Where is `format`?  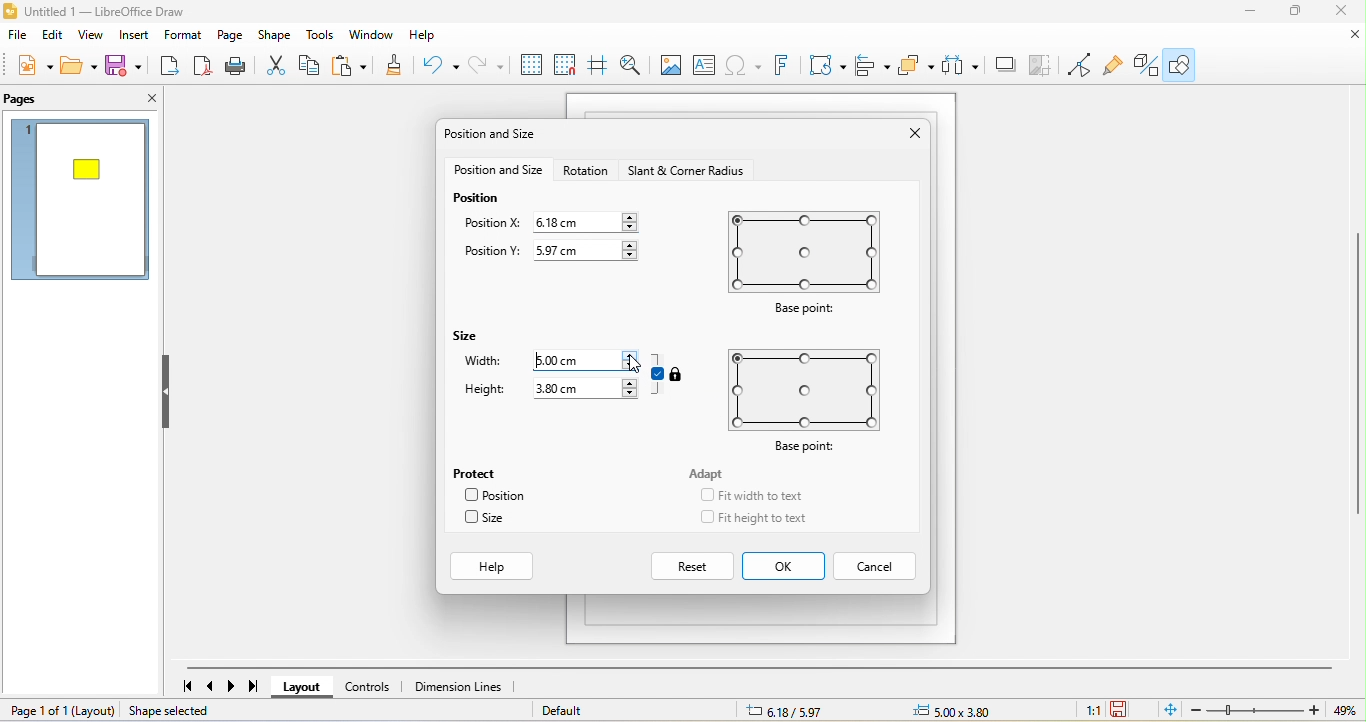
format is located at coordinates (187, 37).